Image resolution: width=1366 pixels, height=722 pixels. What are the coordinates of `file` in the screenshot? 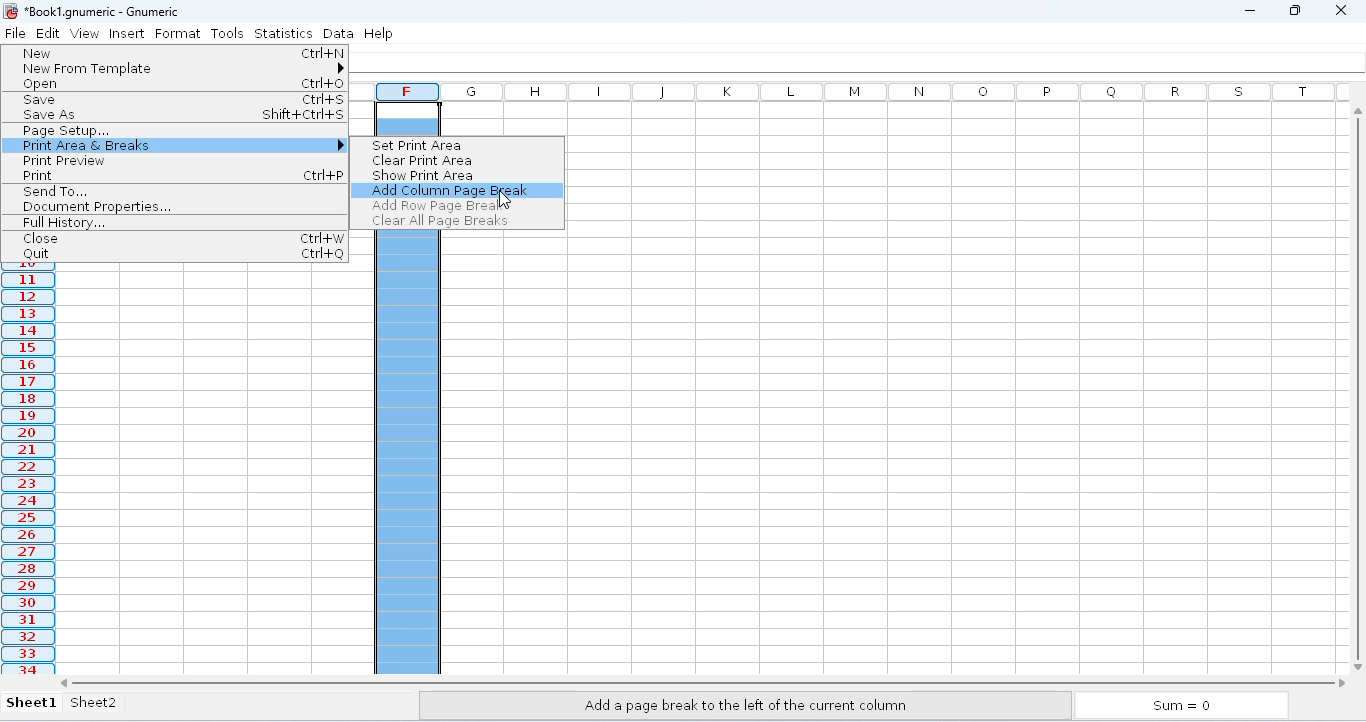 It's located at (15, 33).